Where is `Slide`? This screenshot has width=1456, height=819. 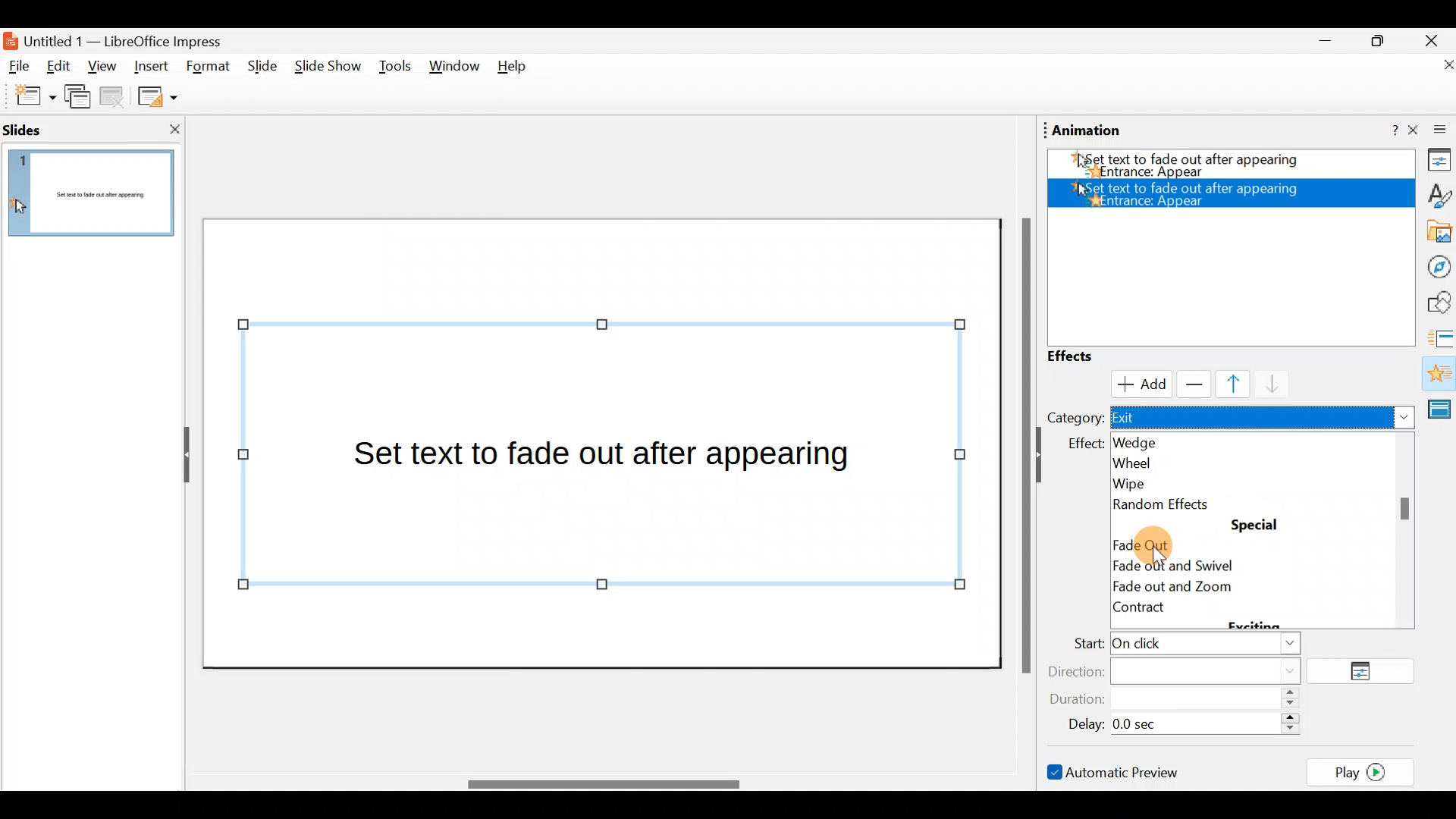
Slide is located at coordinates (259, 67).